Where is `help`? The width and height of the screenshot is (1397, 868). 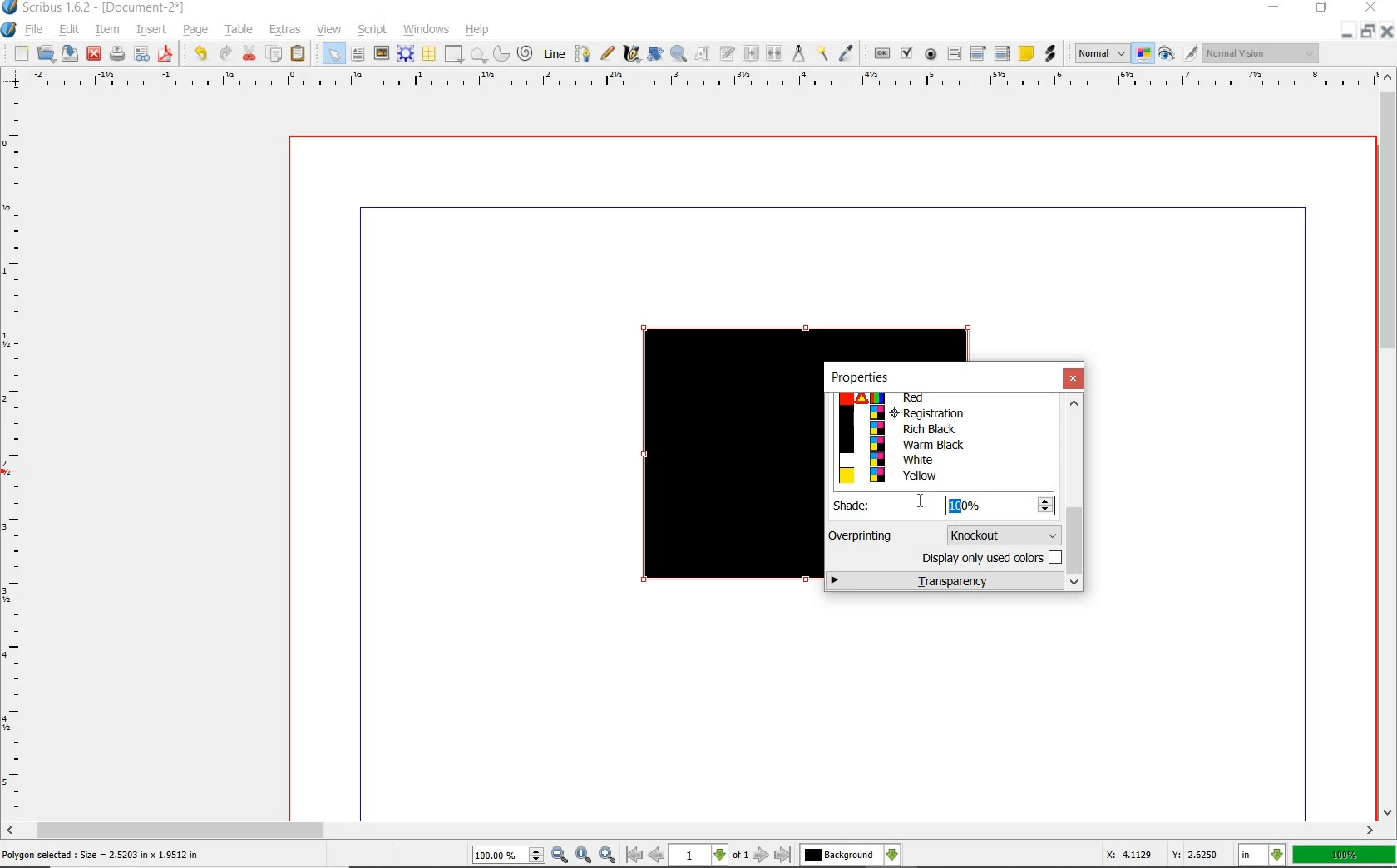 help is located at coordinates (479, 31).